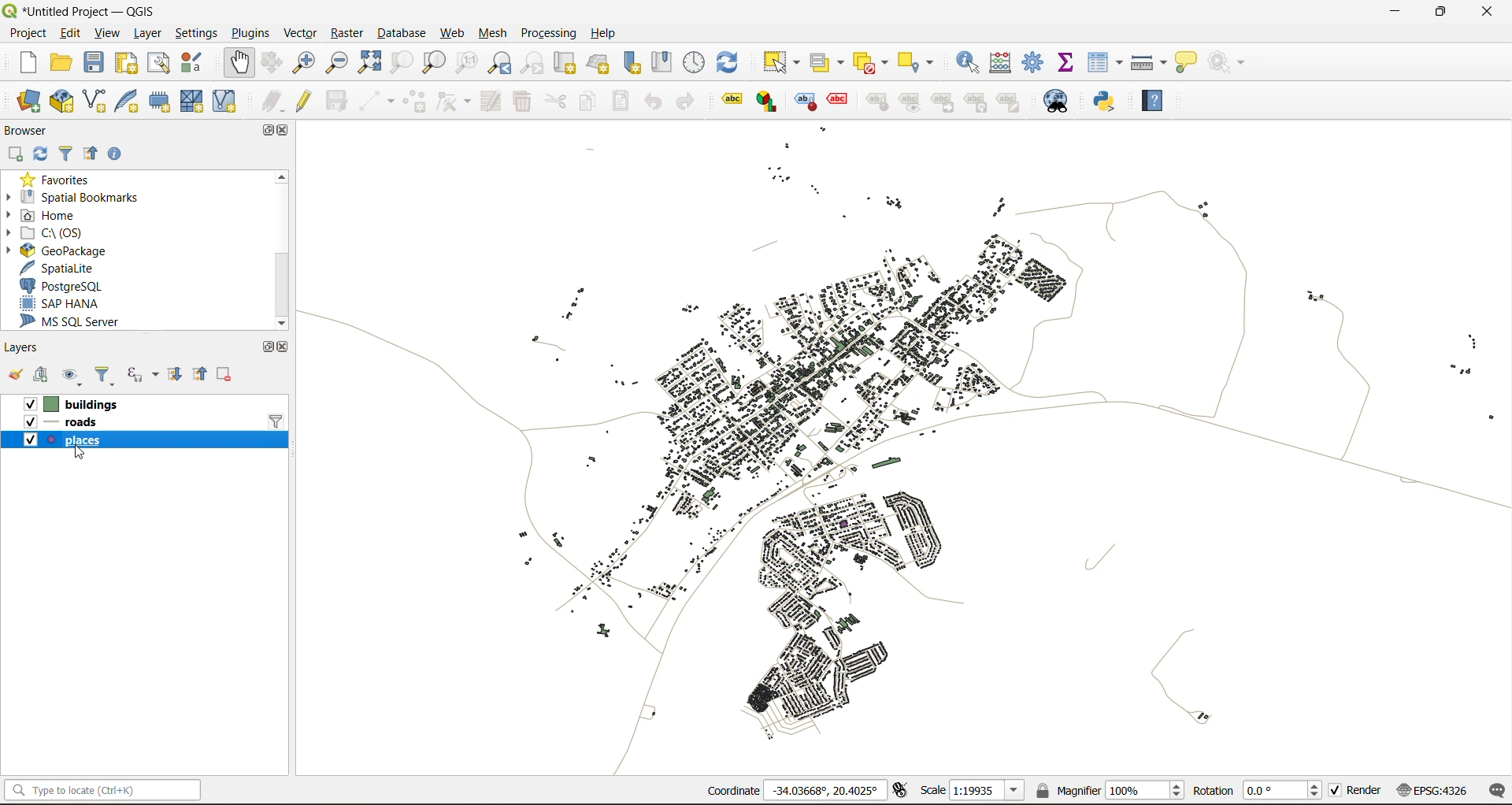  Describe the element at coordinates (1495, 791) in the screenshot. I see `log messages` at that location.